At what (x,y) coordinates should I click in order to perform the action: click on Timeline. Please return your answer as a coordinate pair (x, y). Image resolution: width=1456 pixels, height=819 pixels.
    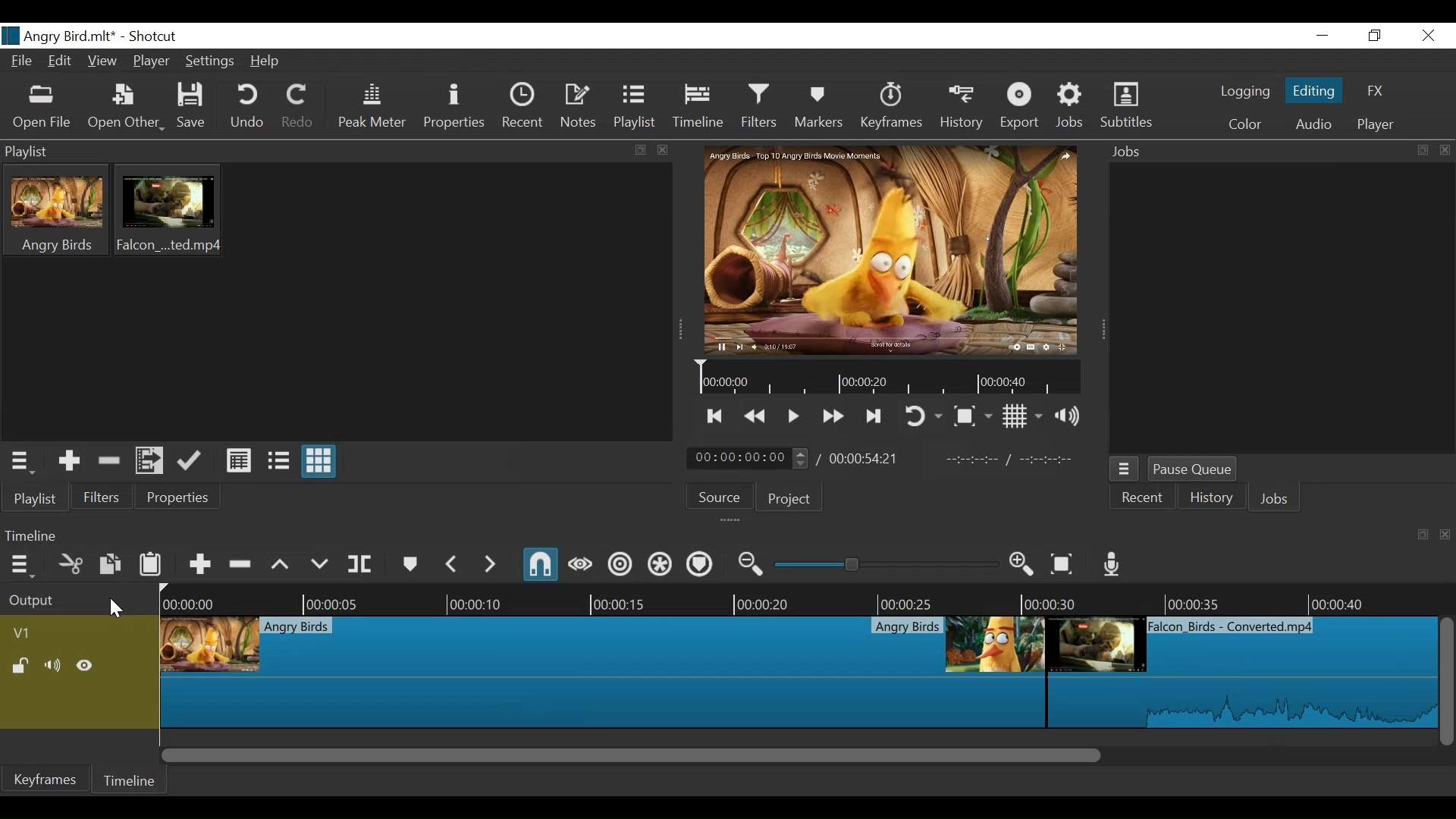
    Looking at the image, I should click on (807, 598).